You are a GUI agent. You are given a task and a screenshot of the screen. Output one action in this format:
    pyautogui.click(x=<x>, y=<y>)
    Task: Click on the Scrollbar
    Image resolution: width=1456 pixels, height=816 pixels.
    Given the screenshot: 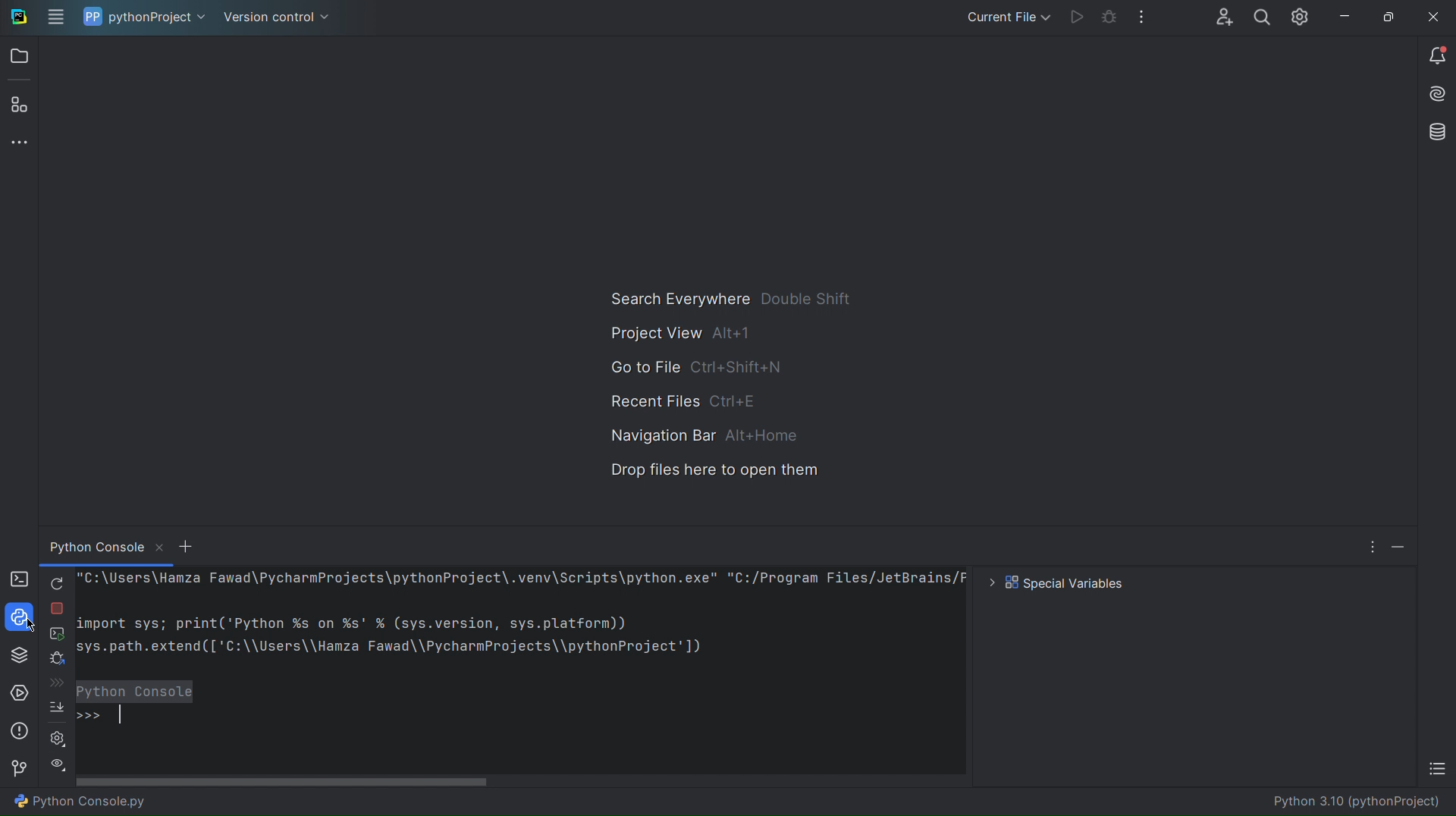 What is the action you would take?
    pyautogui.click(x=290, y=780)
    